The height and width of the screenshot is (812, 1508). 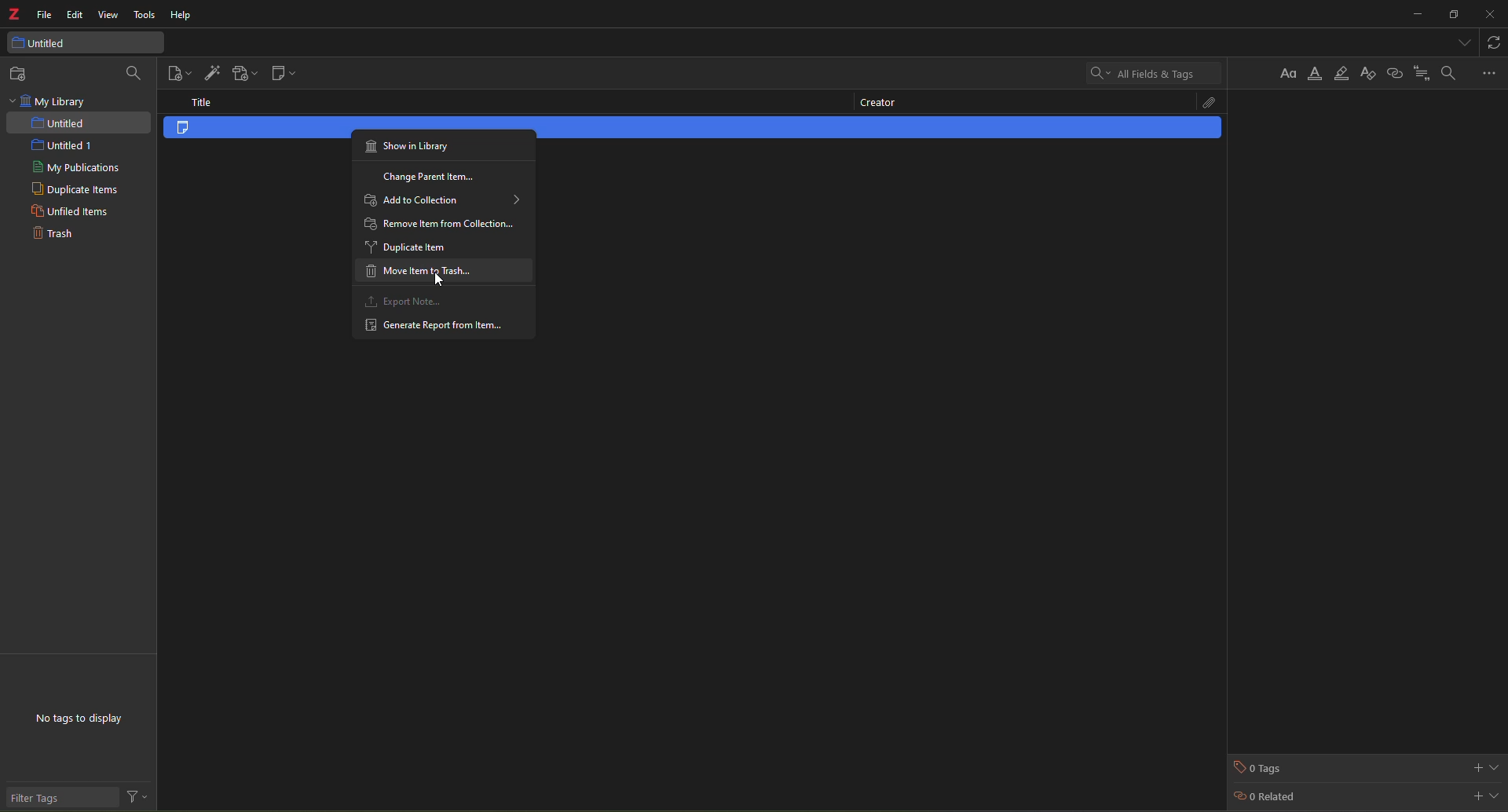 I want to click on add to collection, so click(x=443, y=202).